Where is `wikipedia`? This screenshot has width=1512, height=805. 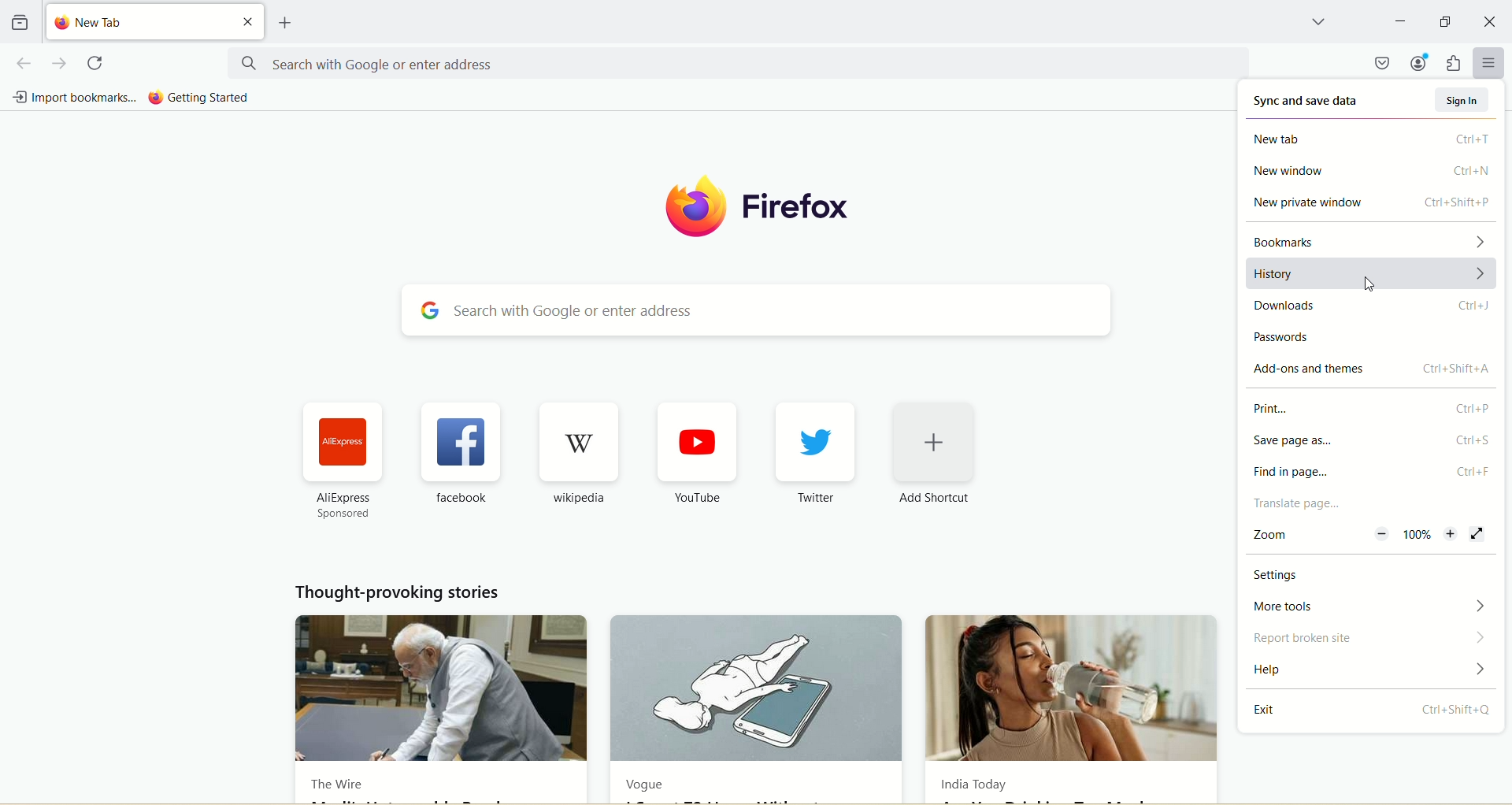
wikipedia is located at coordinates (577, 498).